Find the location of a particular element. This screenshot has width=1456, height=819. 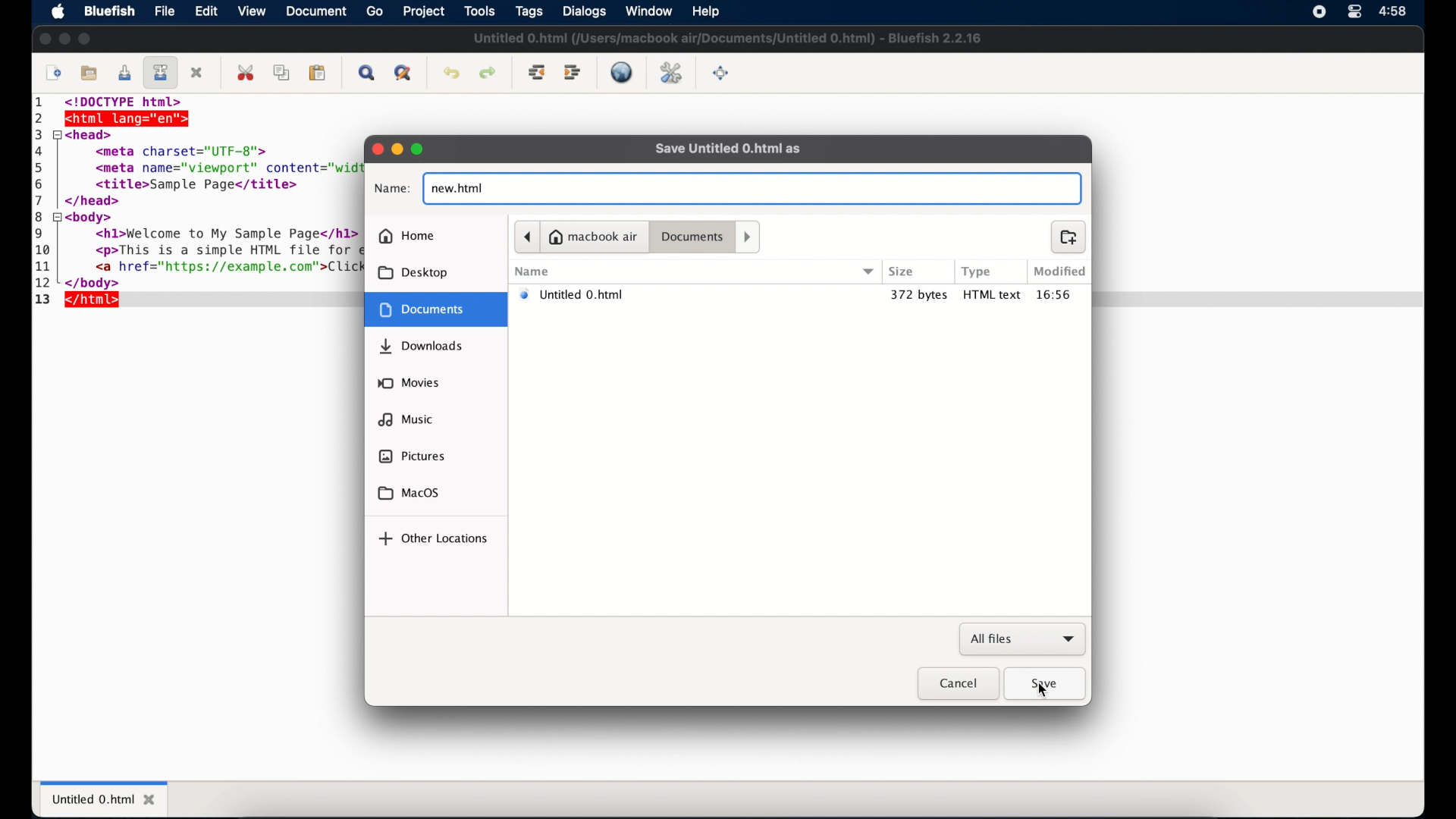

edit is located at coordinates (207, 11).